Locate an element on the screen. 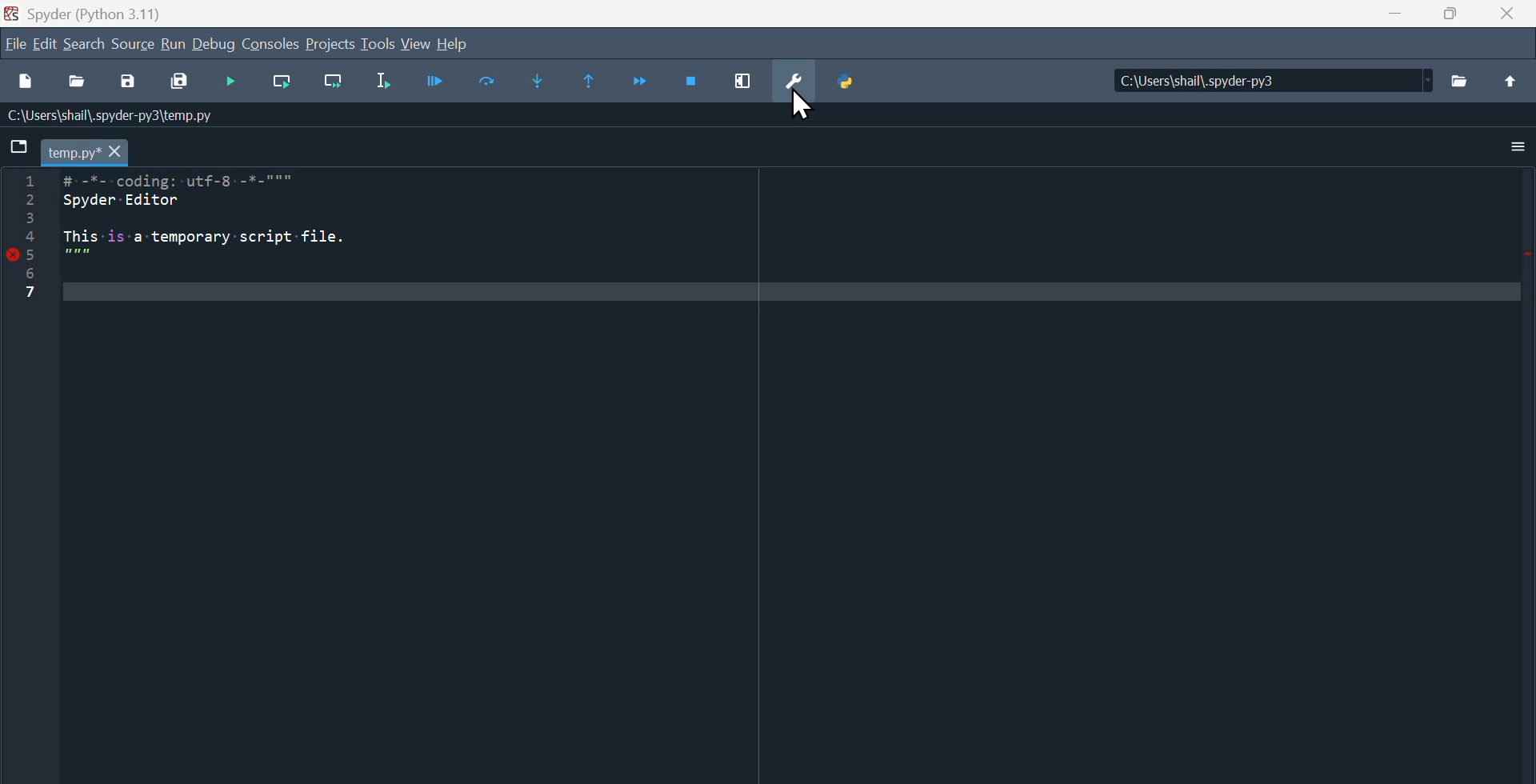 This screenshot has height=784, width=1536. Debug is located at coordinates (438, 82).